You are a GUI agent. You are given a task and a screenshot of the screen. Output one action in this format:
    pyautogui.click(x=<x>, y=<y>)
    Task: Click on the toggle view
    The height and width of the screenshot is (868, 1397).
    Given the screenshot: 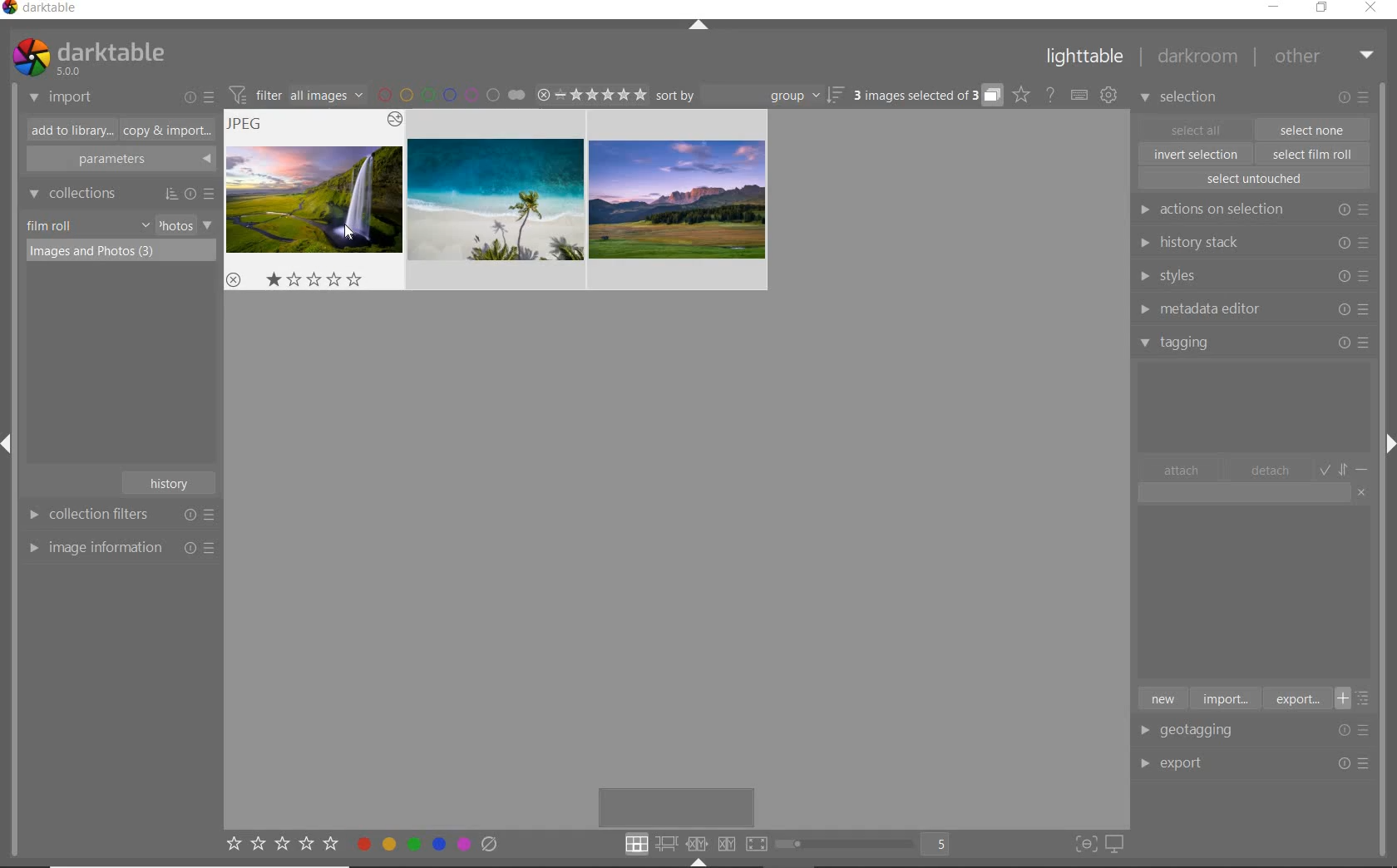 What is the action you would take?
    pyautogui.click(x=868, y=846)
    